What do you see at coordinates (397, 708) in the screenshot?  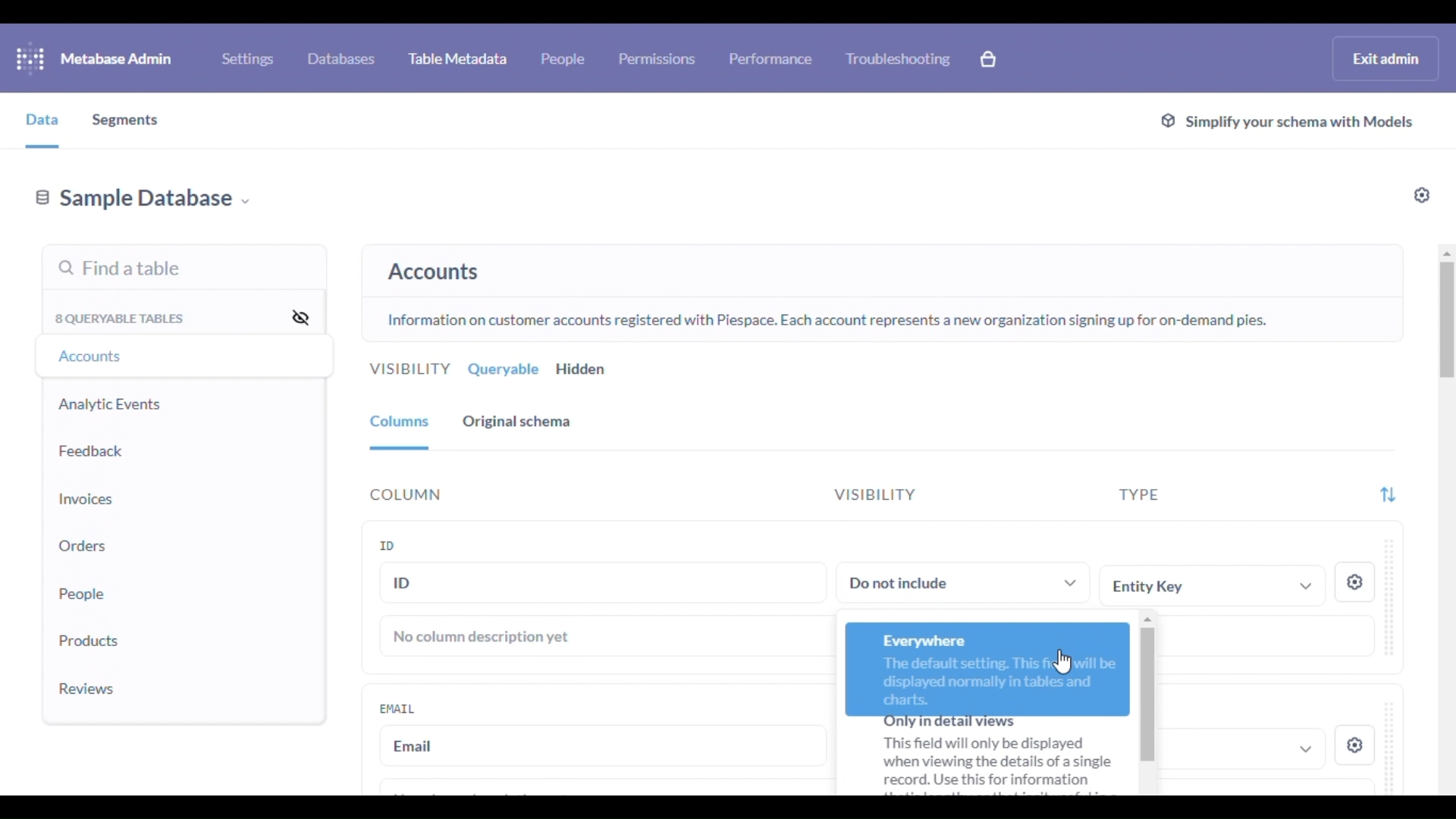 I see `email` at bounding box center [397, 708].